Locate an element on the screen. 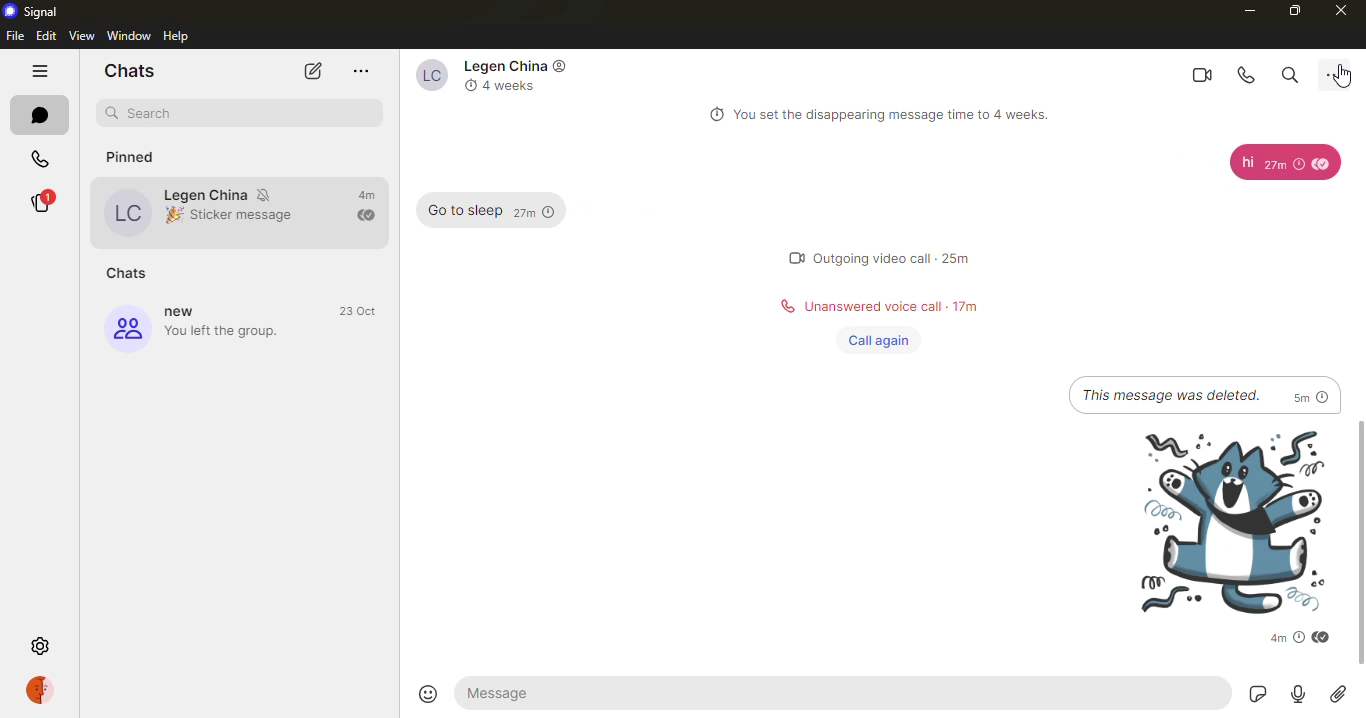  sticker is located at coordinates (1219, 521).